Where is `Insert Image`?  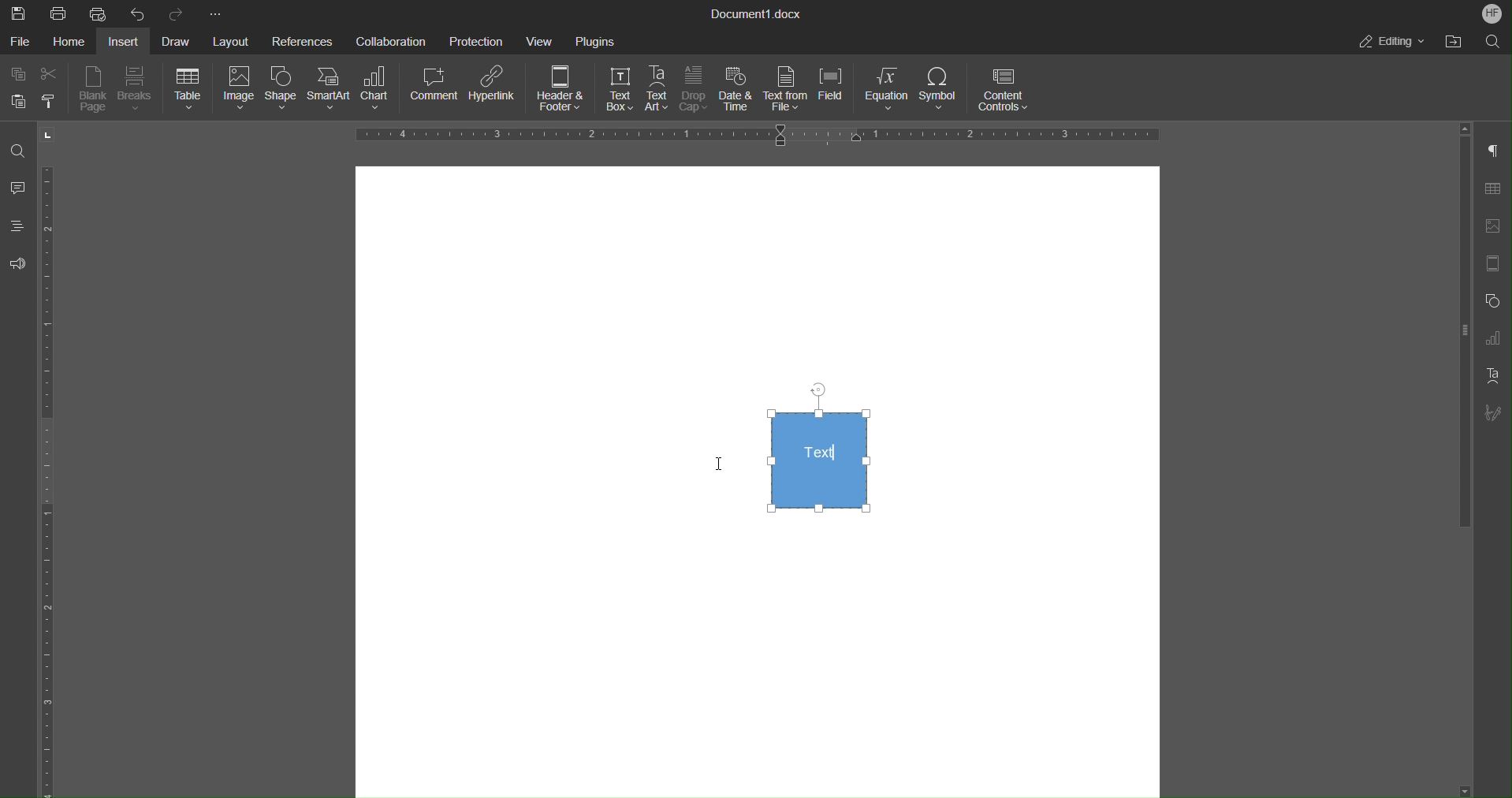
Insert Image is located at coordinates (1497, 226).